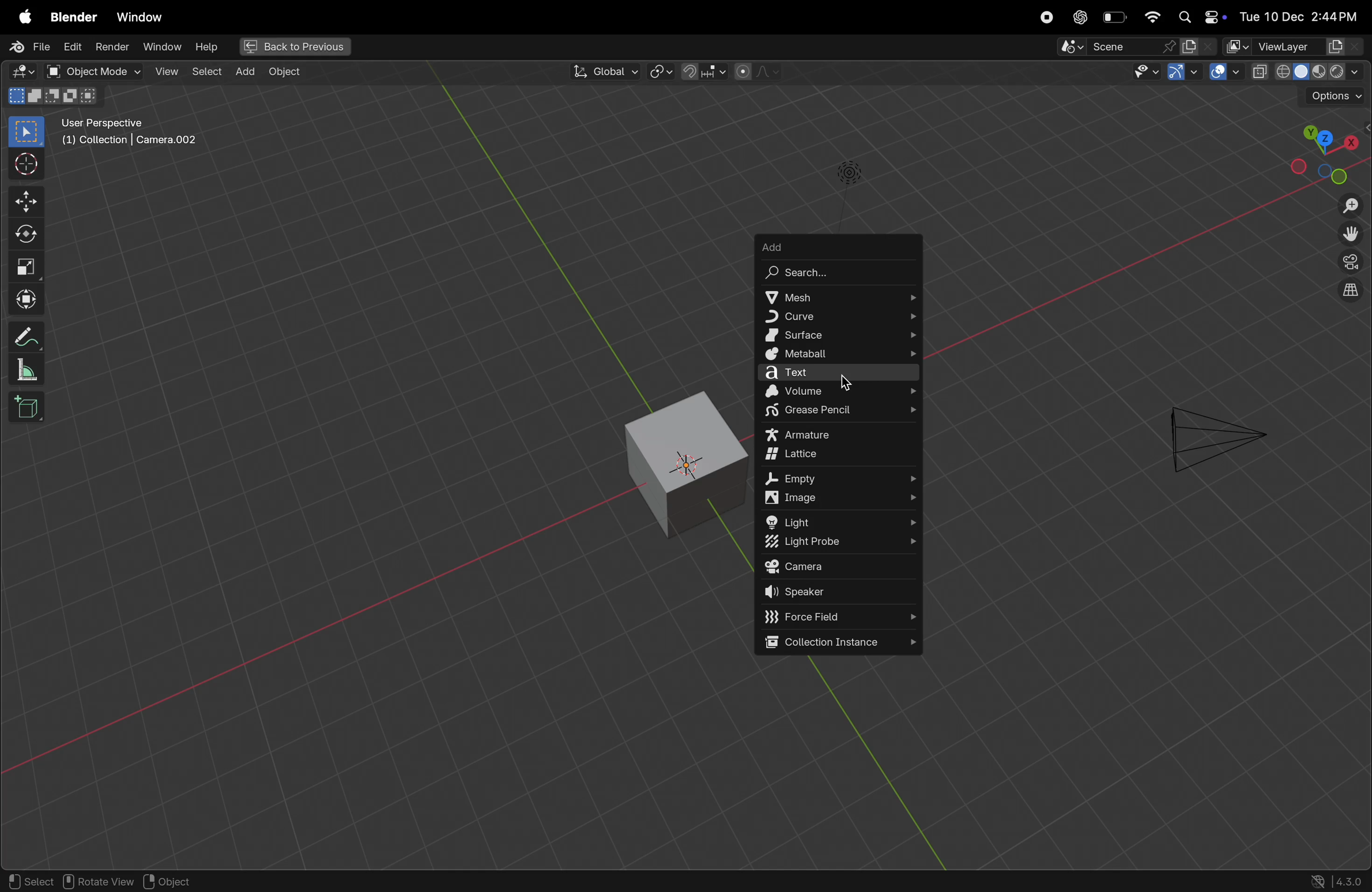 Image resolution: width=1372 pixels, height=892 pixels. I want to click on help, so click(212, 46).